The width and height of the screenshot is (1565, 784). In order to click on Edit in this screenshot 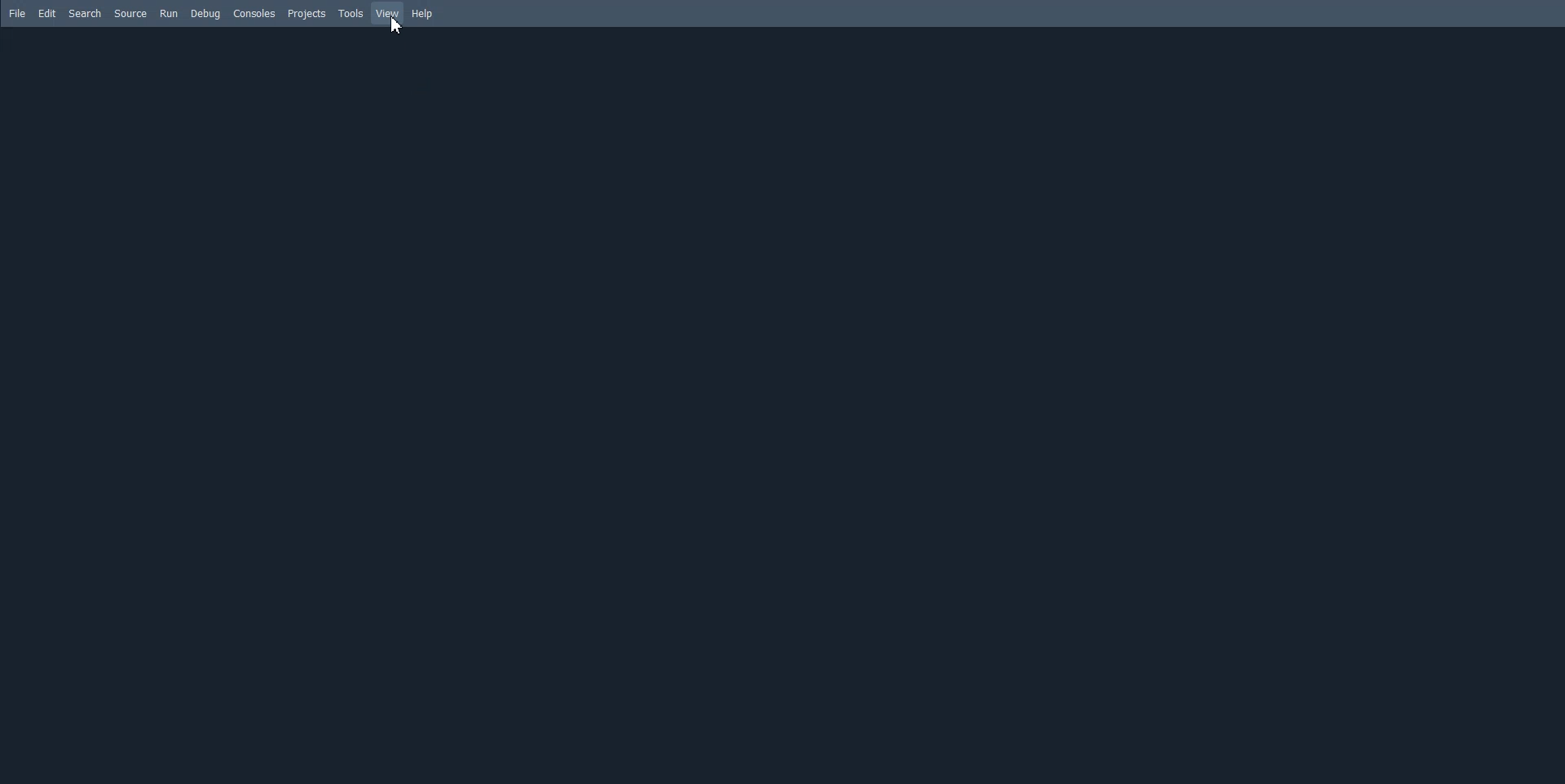, I will do `click(47, 13)`.